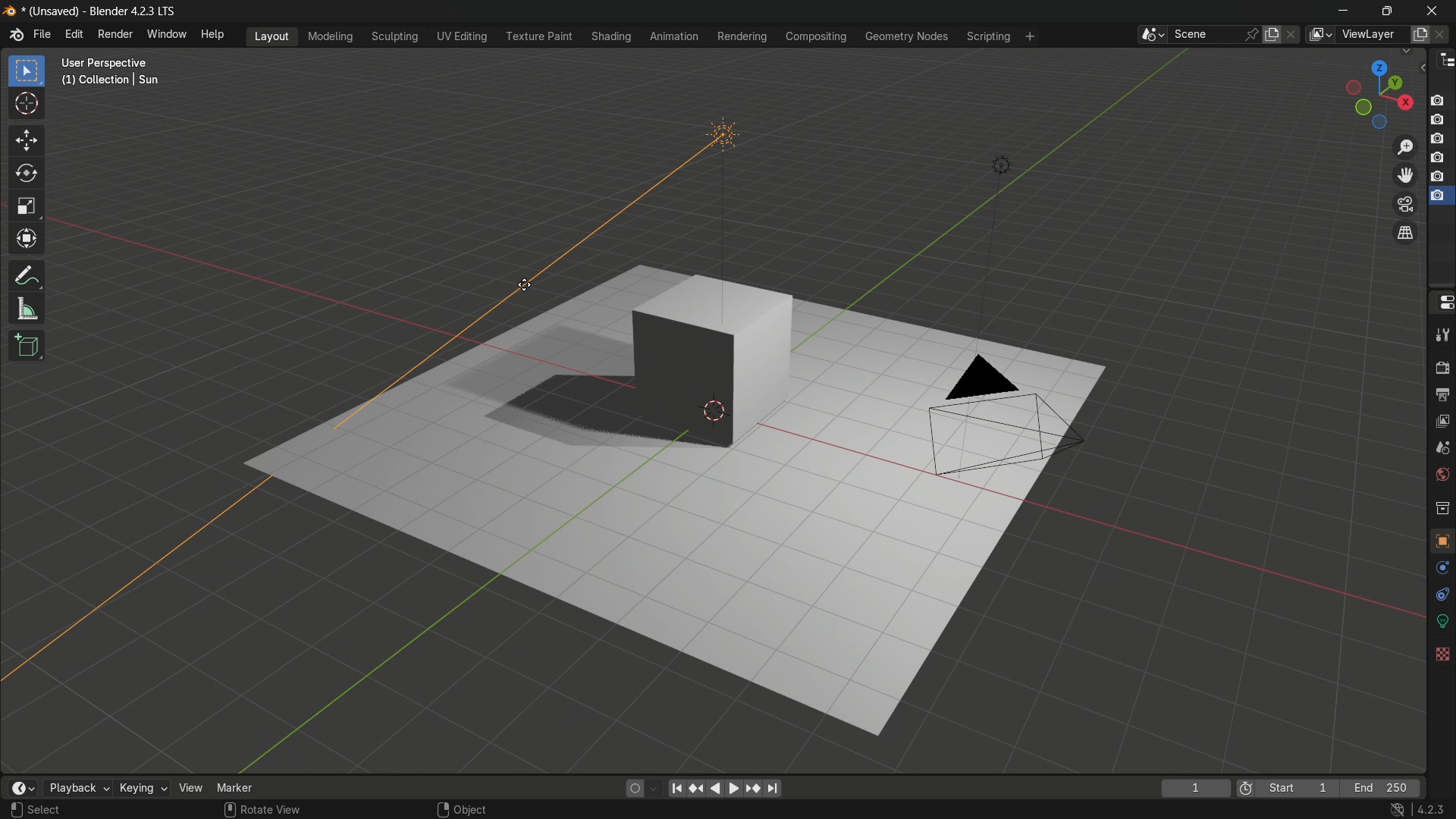 The image size is (1456, 819). Describe the element at coordinates (1444, 447) in the screenshot. I see `scene` at that location.